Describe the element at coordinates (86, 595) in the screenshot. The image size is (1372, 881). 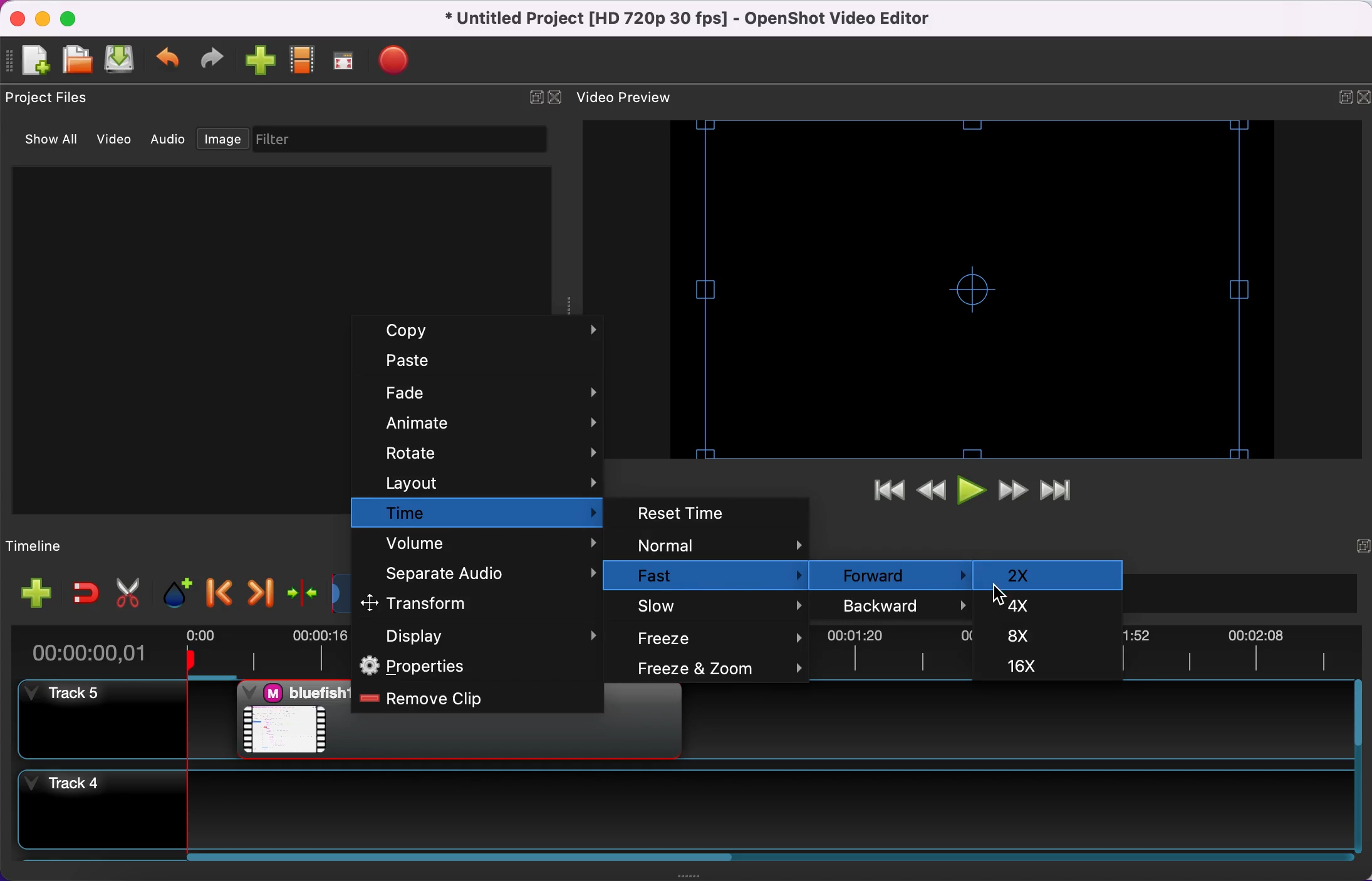
I see `enable snapping` at that location.